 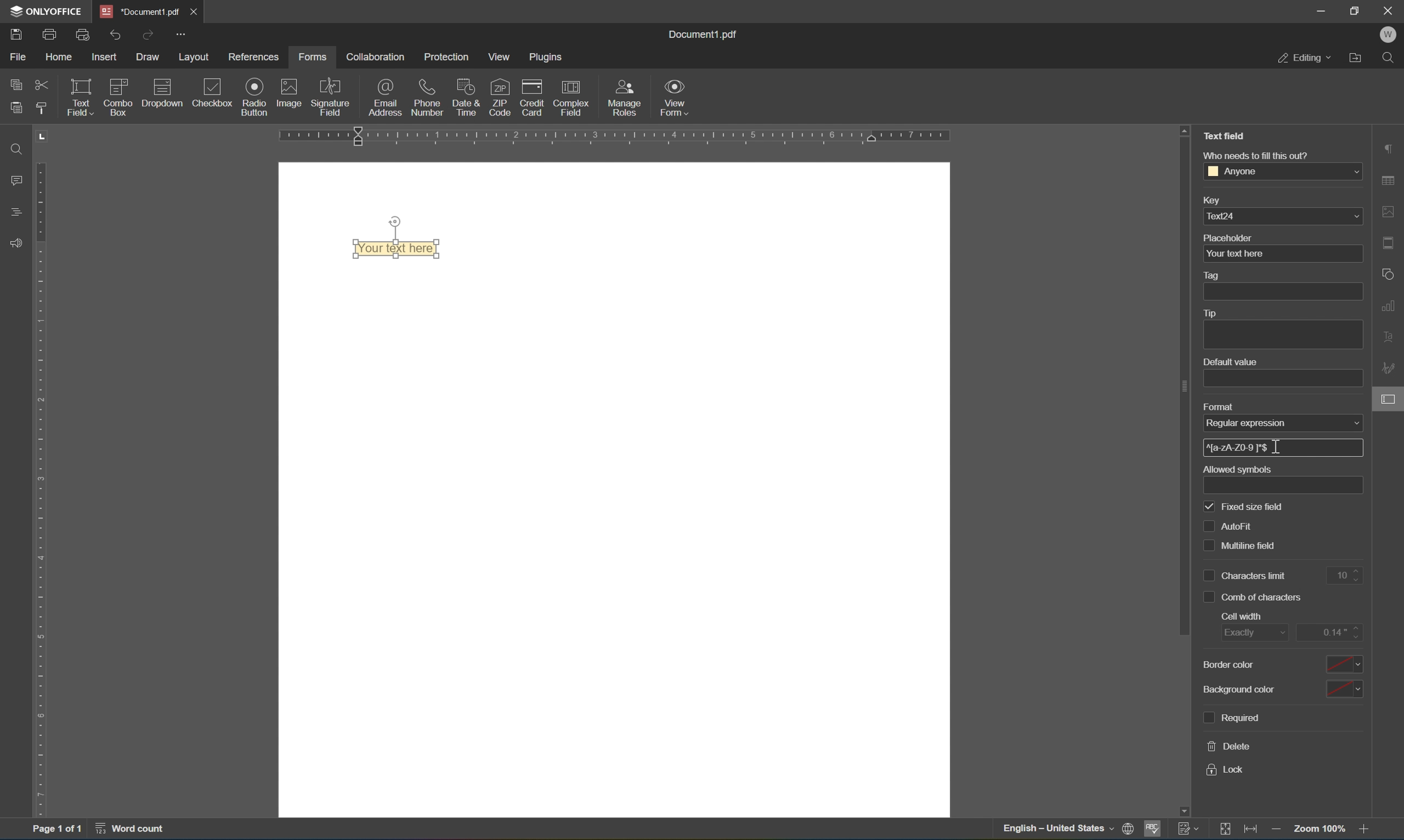 What do you see at coordinates (196, 58) in the screenshot?
I see `layout` at bounding box center [196, 58].